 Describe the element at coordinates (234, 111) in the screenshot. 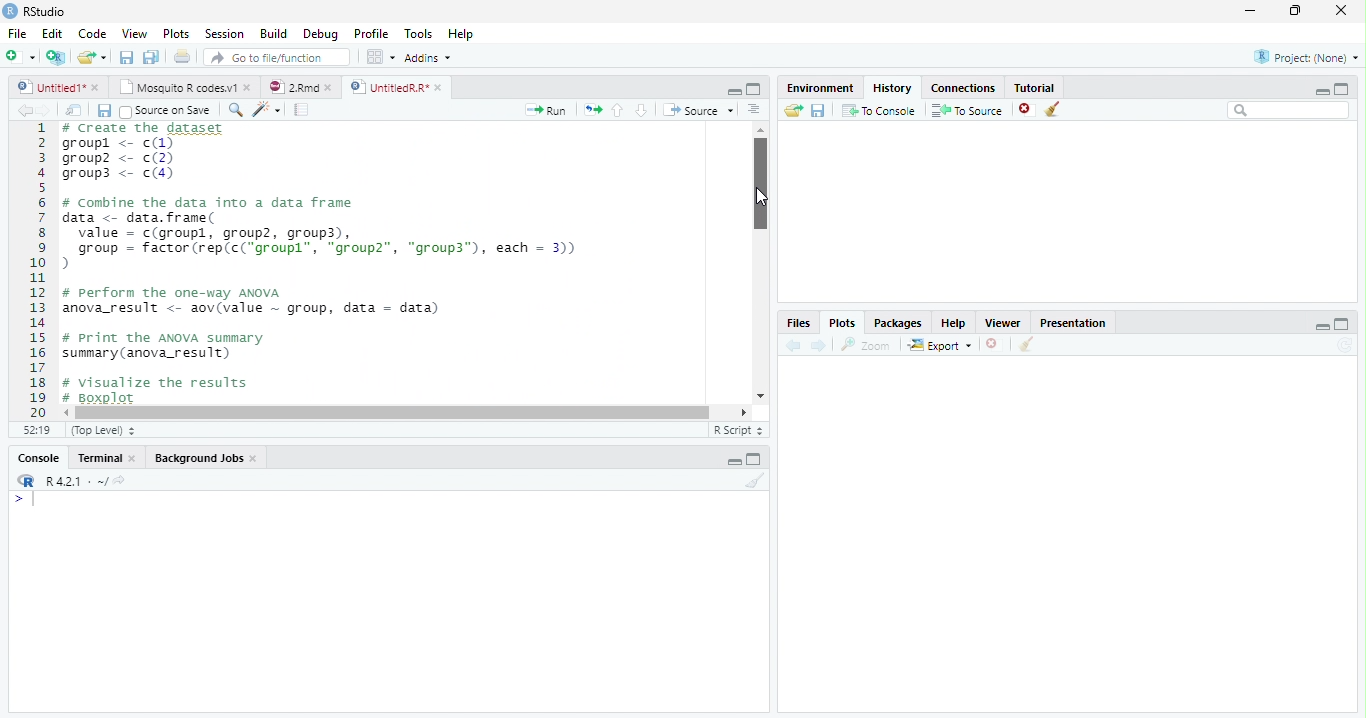

I see `Zoom In` at that location.